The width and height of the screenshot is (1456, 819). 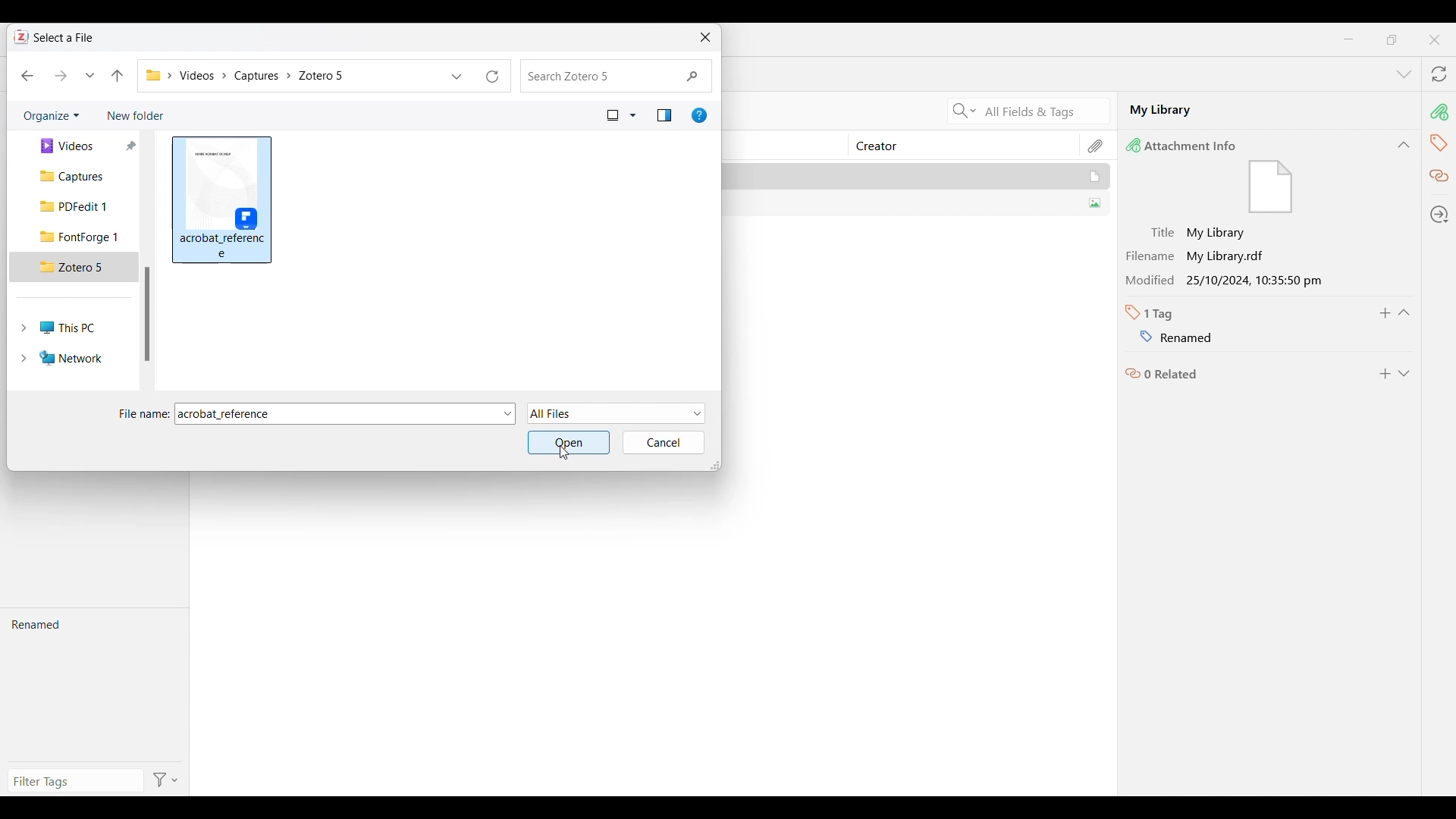 I want to click on Cancel inputs made, so click(x=664, y=443).